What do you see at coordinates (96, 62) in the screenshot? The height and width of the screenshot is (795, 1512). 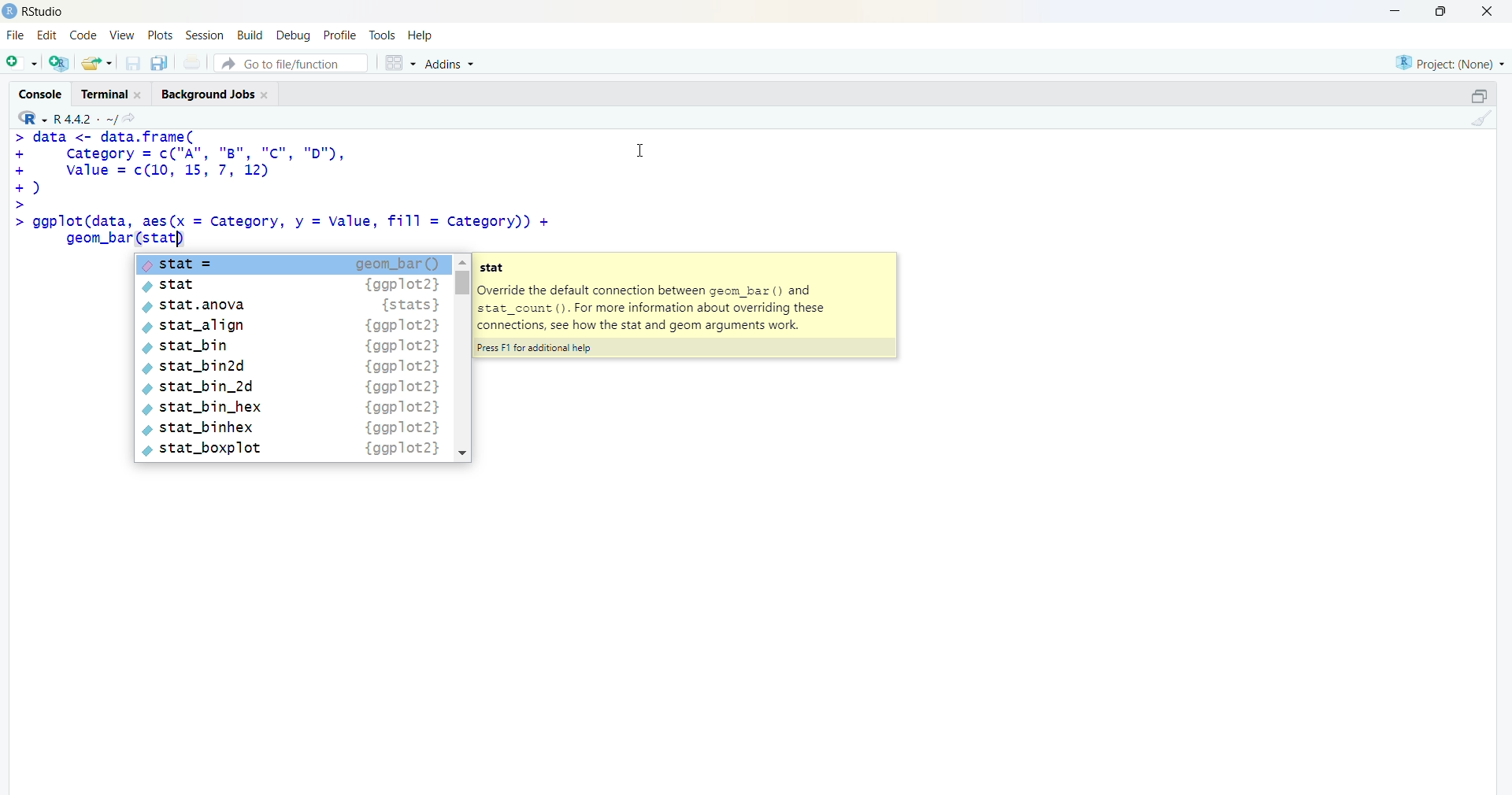 I see `open an existing file` at bounding box center [96, 62].